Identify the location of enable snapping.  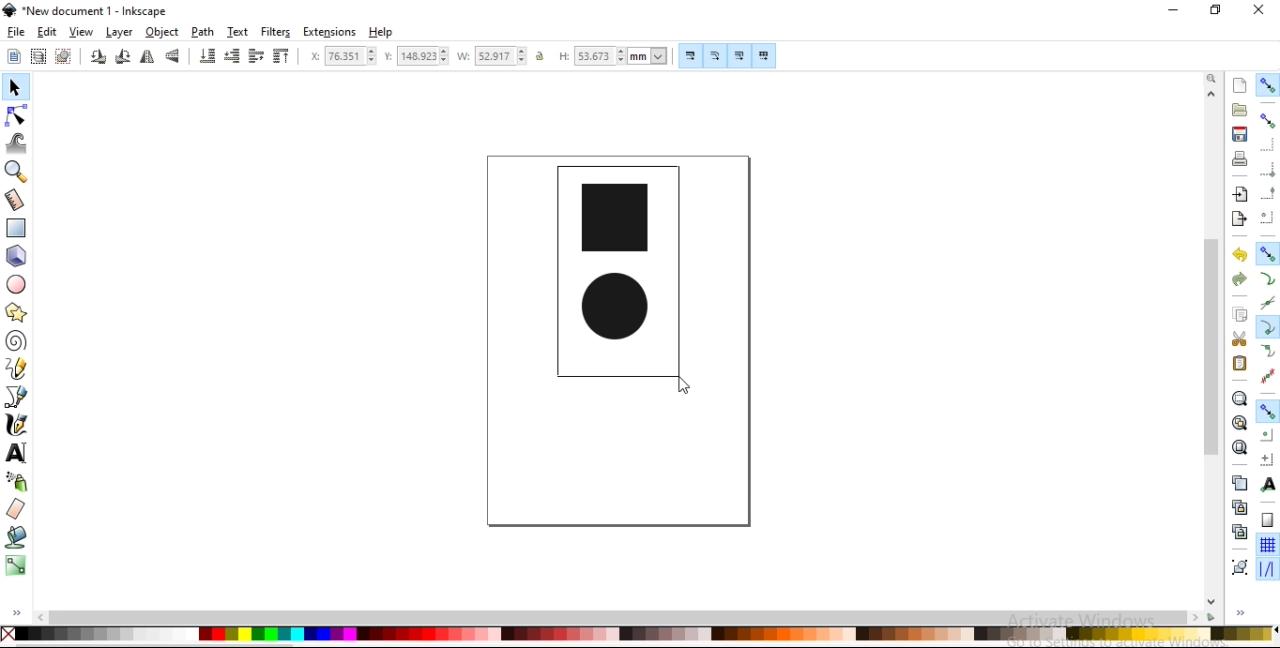
(1269, 85).